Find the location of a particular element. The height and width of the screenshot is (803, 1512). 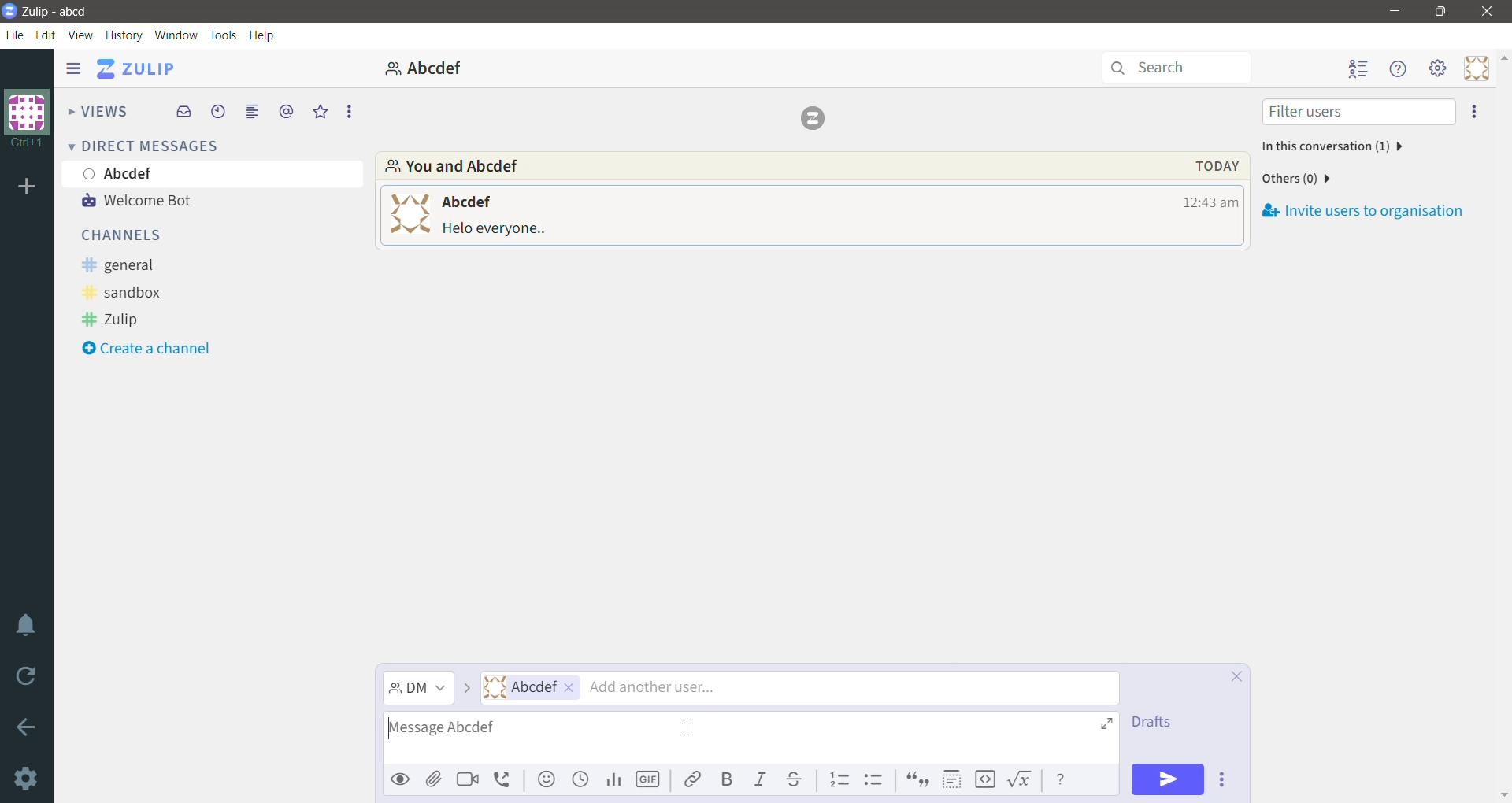

Mentions is located at coordinates (286, 111).